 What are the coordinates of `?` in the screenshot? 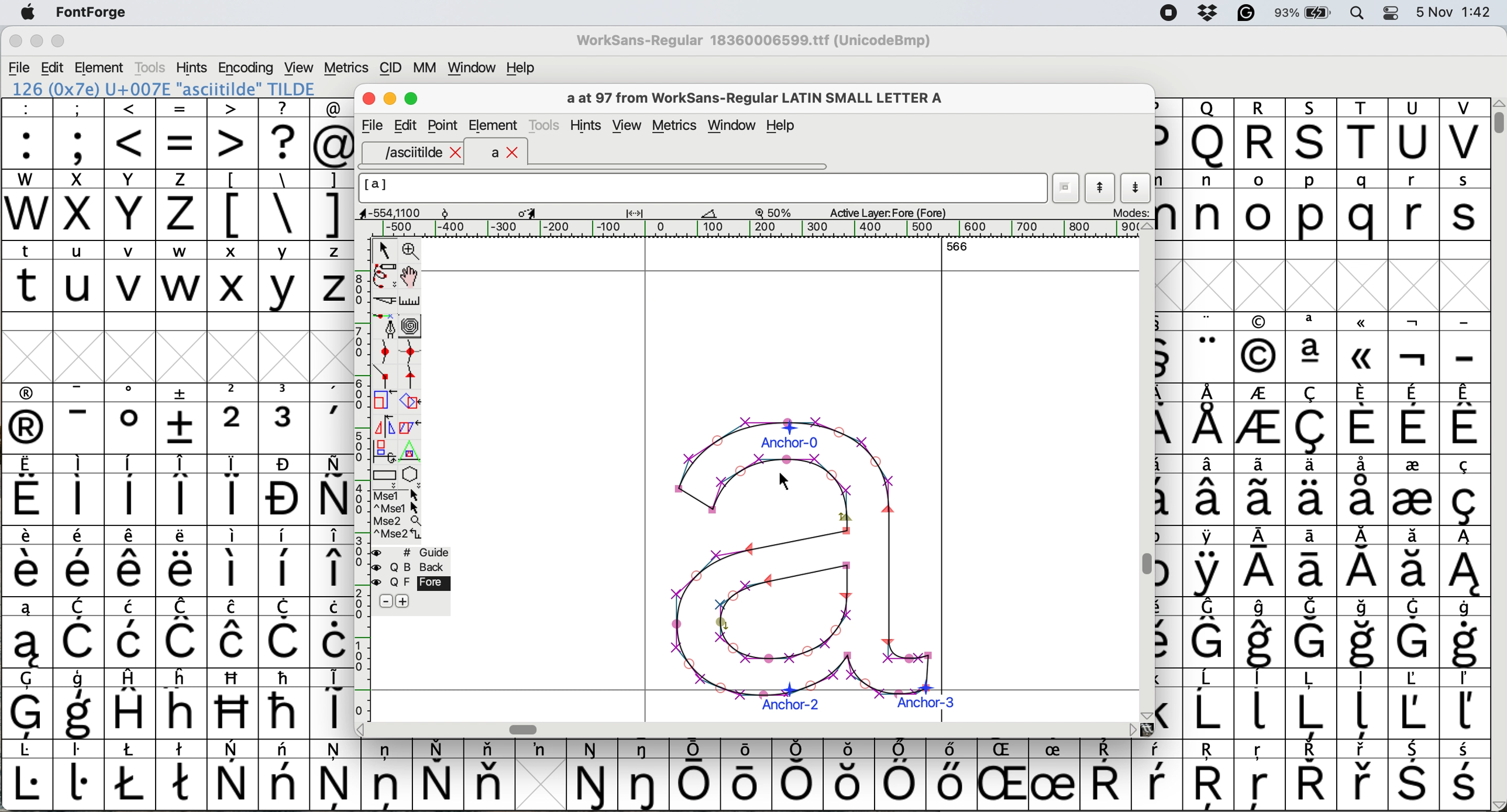 It's located at (284, 133).